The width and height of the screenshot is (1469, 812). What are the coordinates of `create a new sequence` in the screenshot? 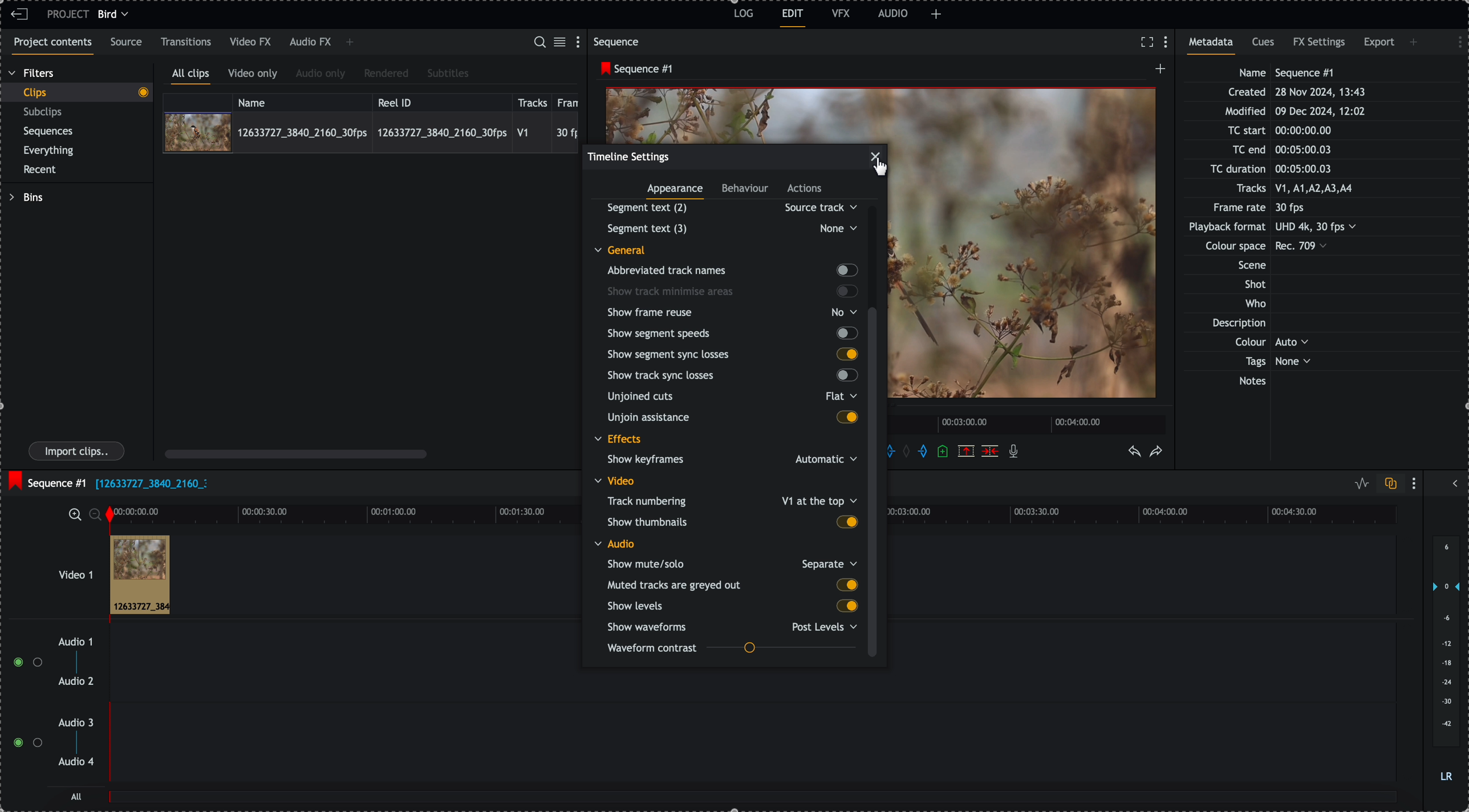 It's located at (1158, 72).